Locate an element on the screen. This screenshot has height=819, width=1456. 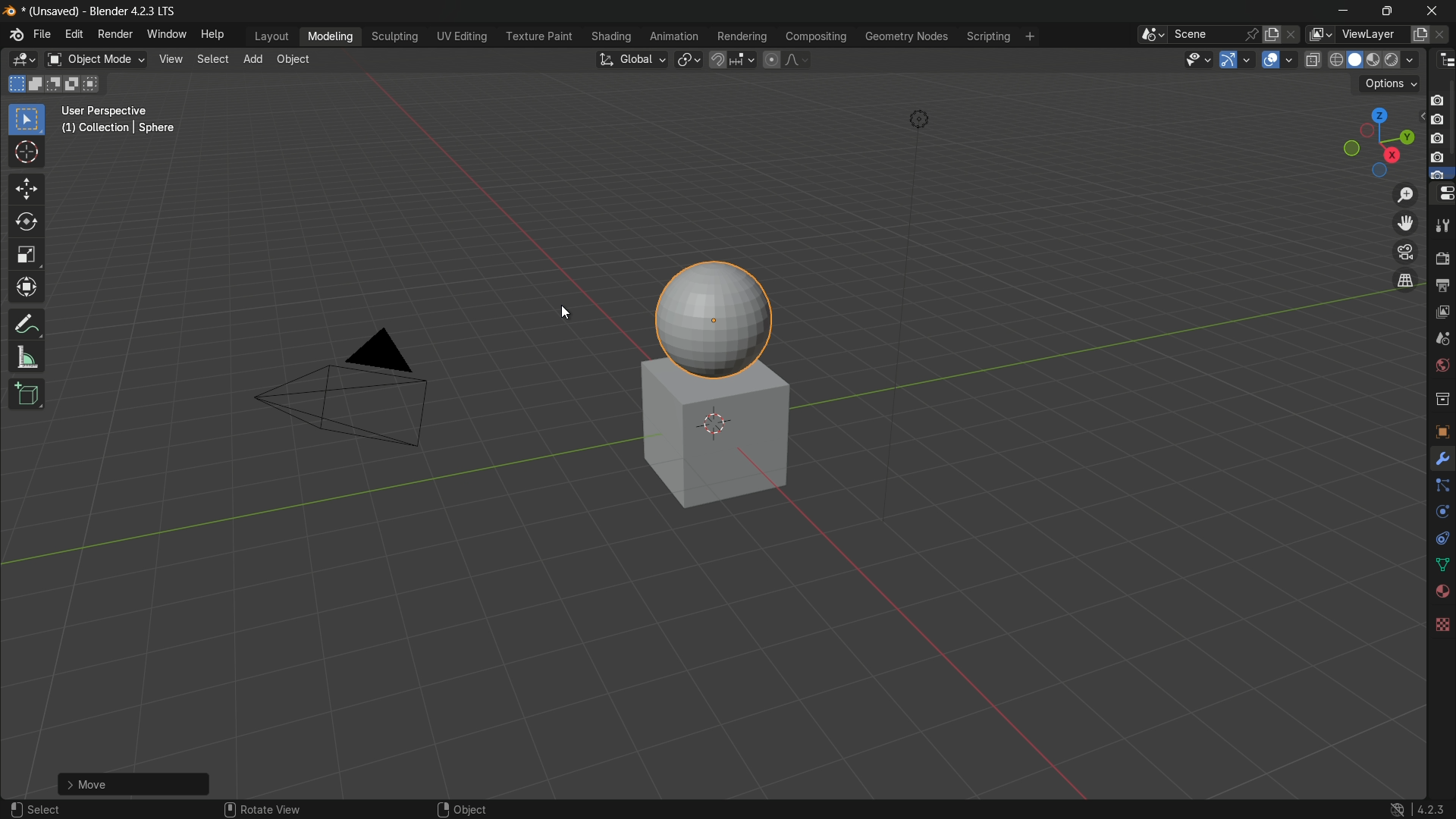
sculpting menu is located at coordinates (395, 36).